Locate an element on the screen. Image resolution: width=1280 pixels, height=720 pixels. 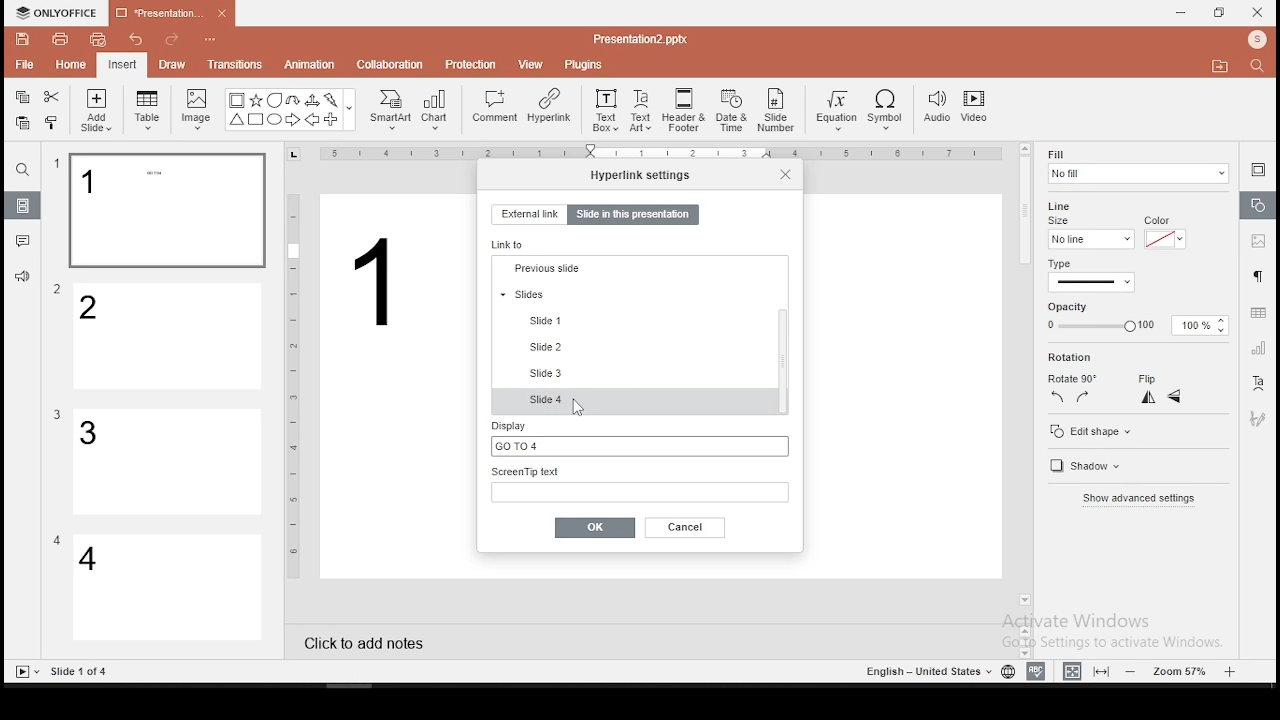
language is located at coordinates (1007, 672).